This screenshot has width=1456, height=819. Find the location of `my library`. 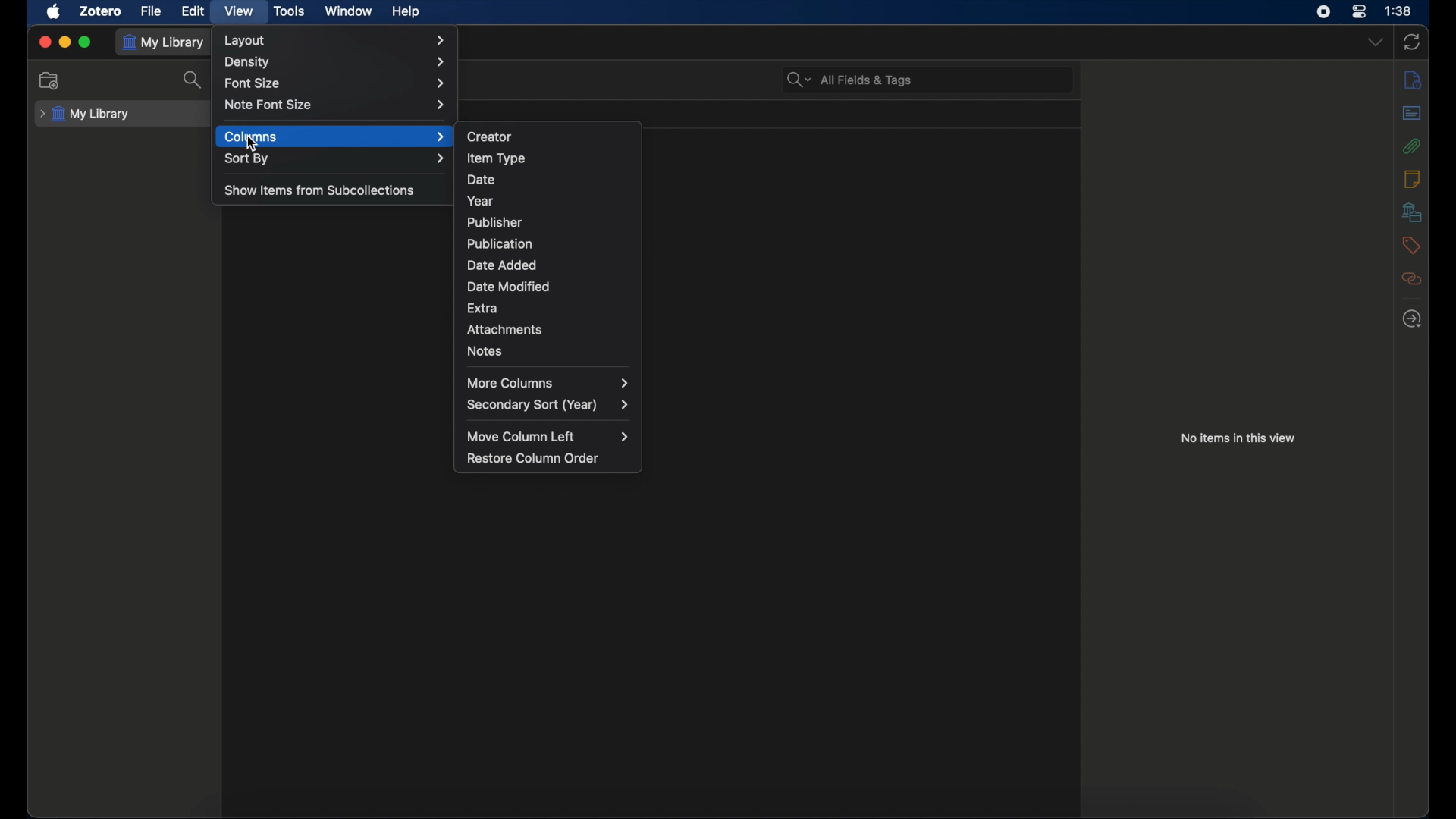

my library is located at coordinates (167, 42).